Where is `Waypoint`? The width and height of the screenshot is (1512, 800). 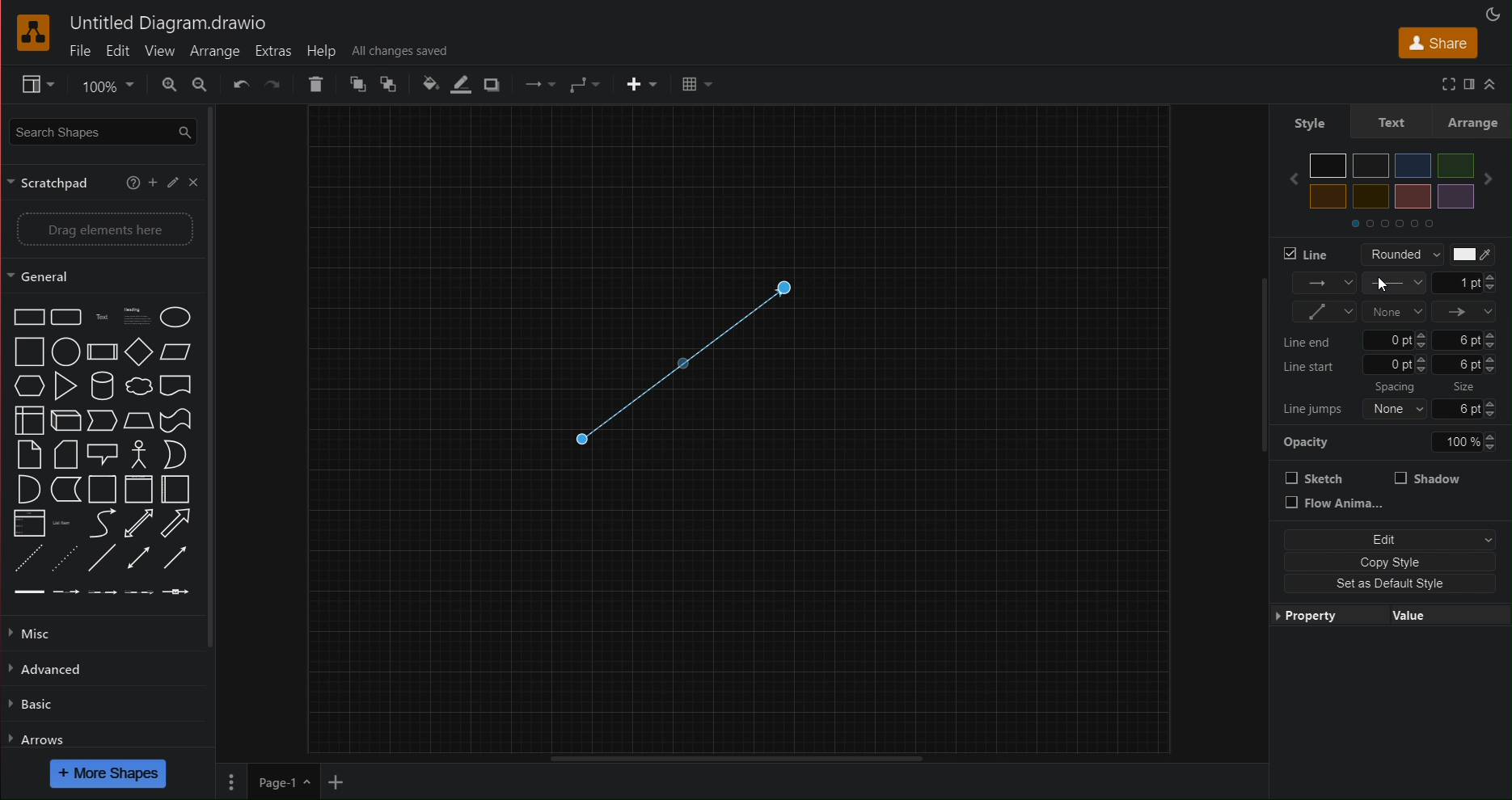 Waypoint is located at coordinates (538, 85).